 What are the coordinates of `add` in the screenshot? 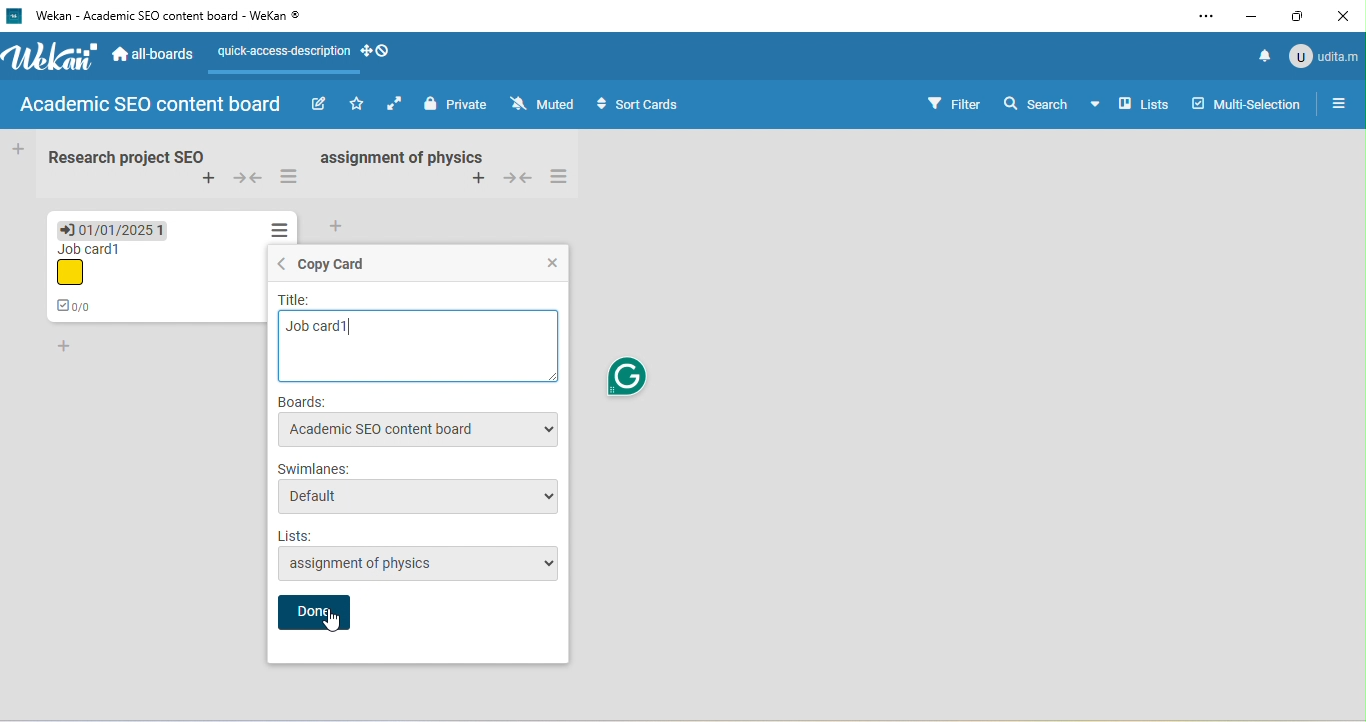 It's located at (478, 179).